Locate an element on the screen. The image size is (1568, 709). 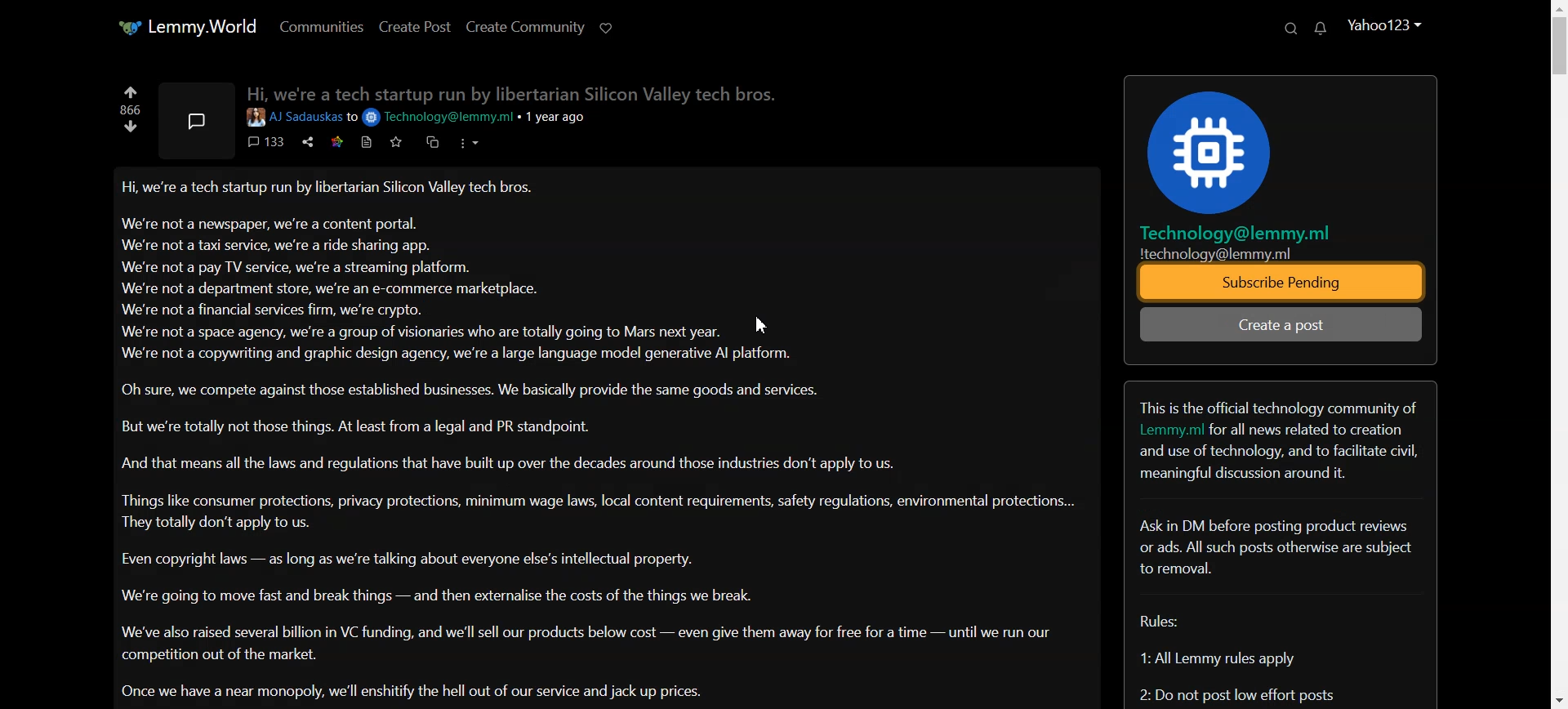
Create Community is located at coordinates (530, 26).